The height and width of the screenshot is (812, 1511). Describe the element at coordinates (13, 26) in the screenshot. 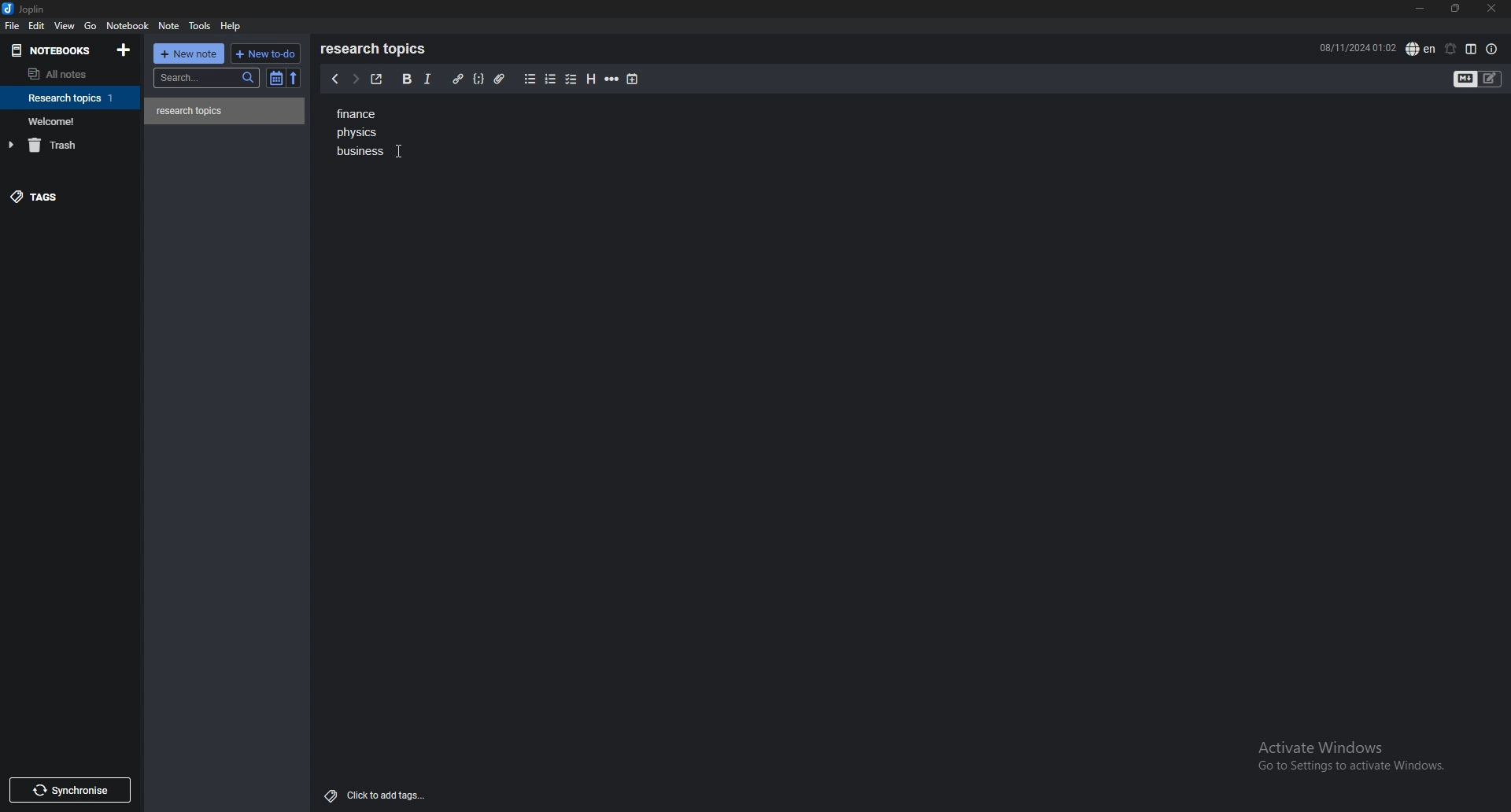

I see `file` at that location.